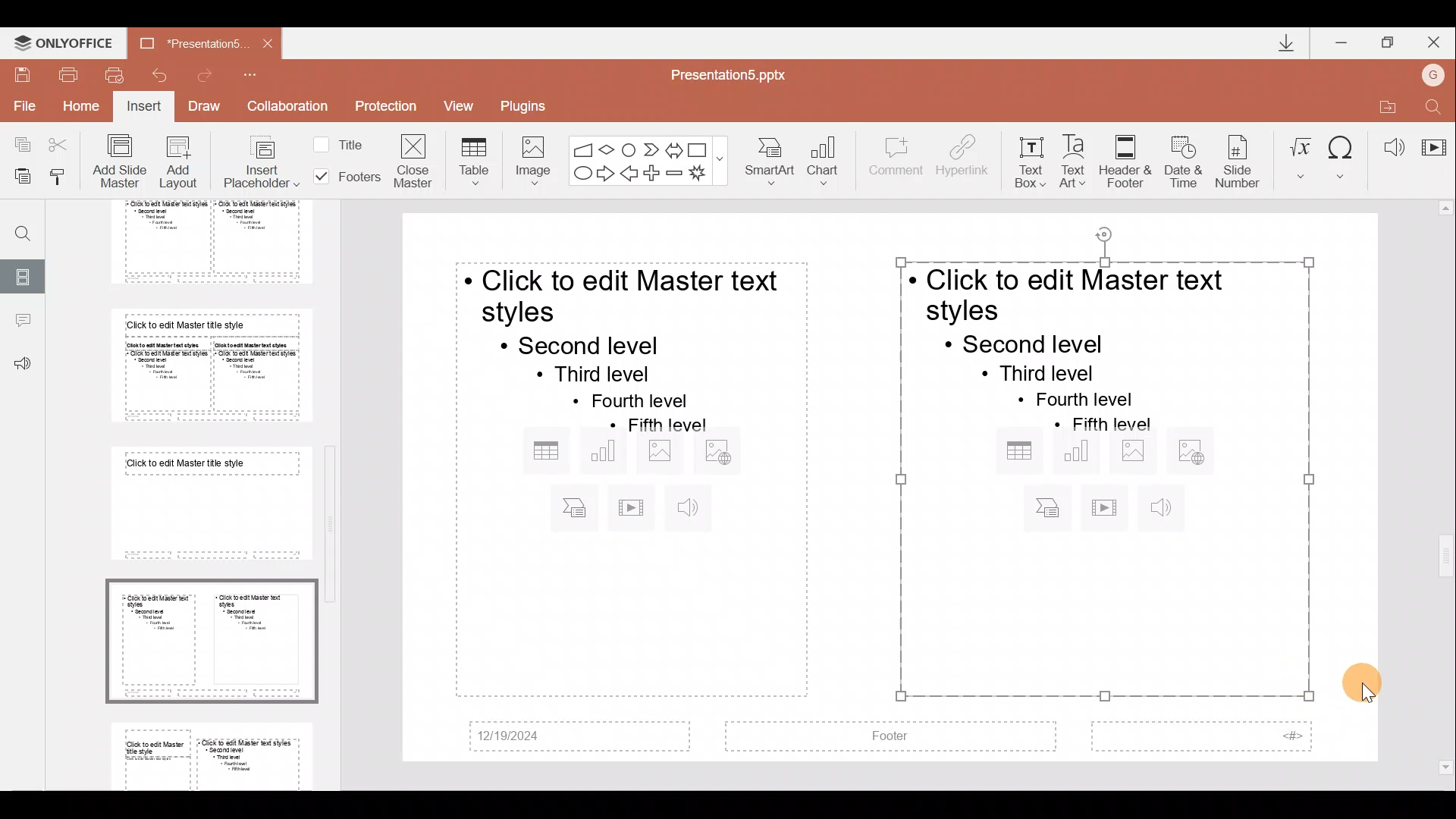 The width and height of the screenshot is (1456, 819). Describe the element at coordinates (649, 148) in the screenshot. I see `Chevron` at that location.